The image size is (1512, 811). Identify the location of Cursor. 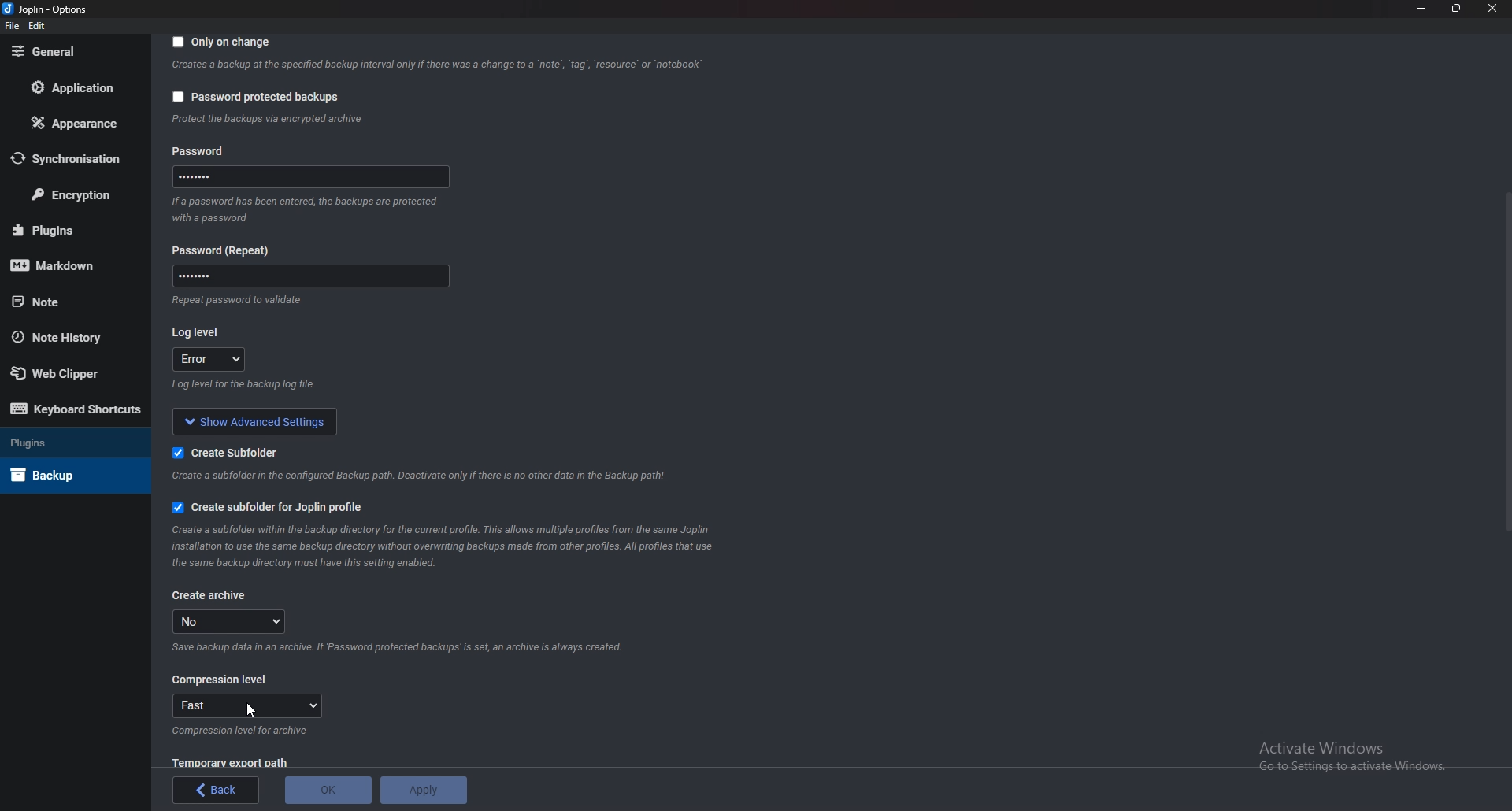
(250, 712).